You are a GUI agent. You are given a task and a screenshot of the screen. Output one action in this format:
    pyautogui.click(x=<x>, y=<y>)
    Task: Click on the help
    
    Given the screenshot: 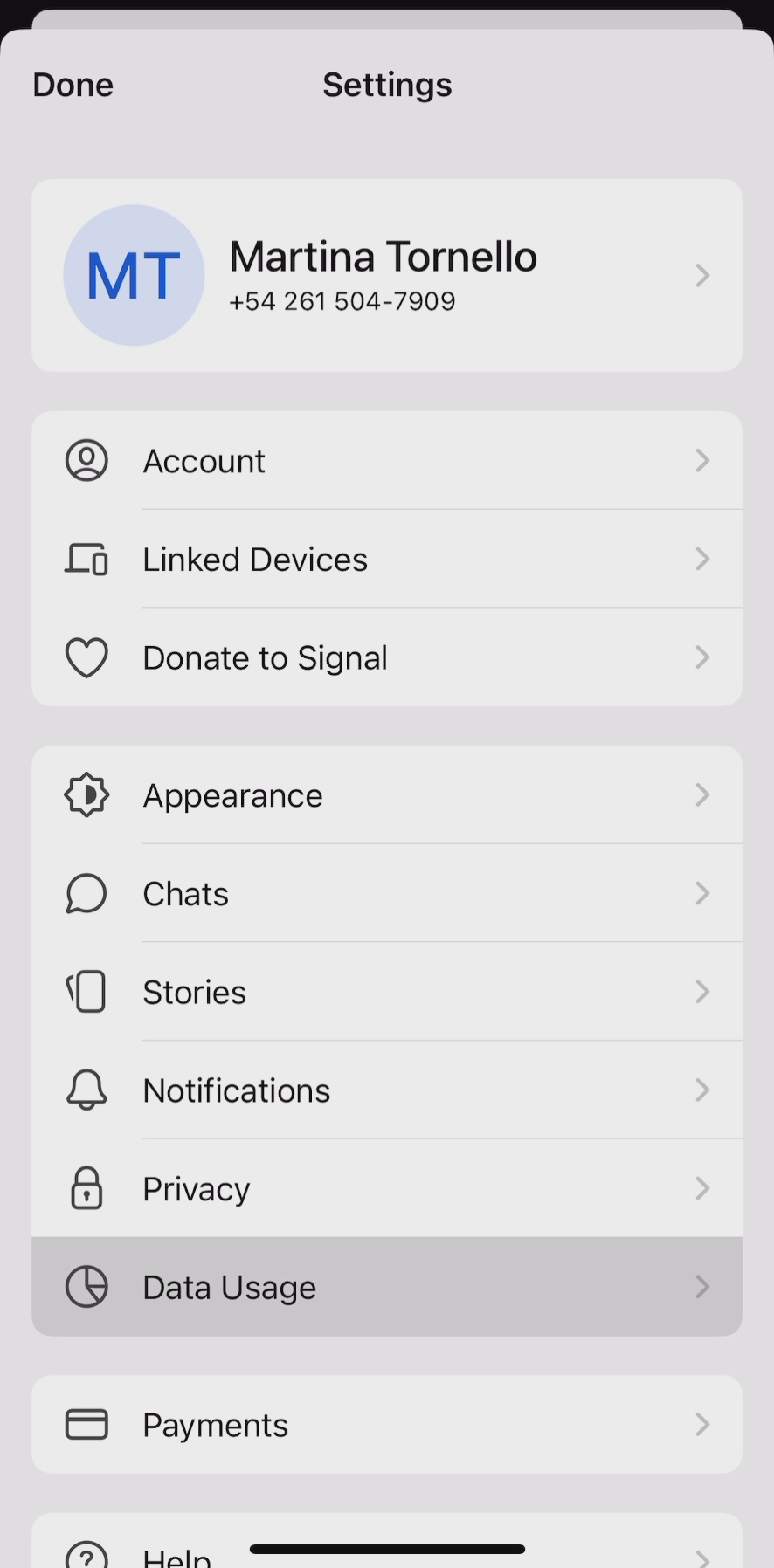 What is the action you would take?
    pyautogui.click(x=386, y=1544)
    